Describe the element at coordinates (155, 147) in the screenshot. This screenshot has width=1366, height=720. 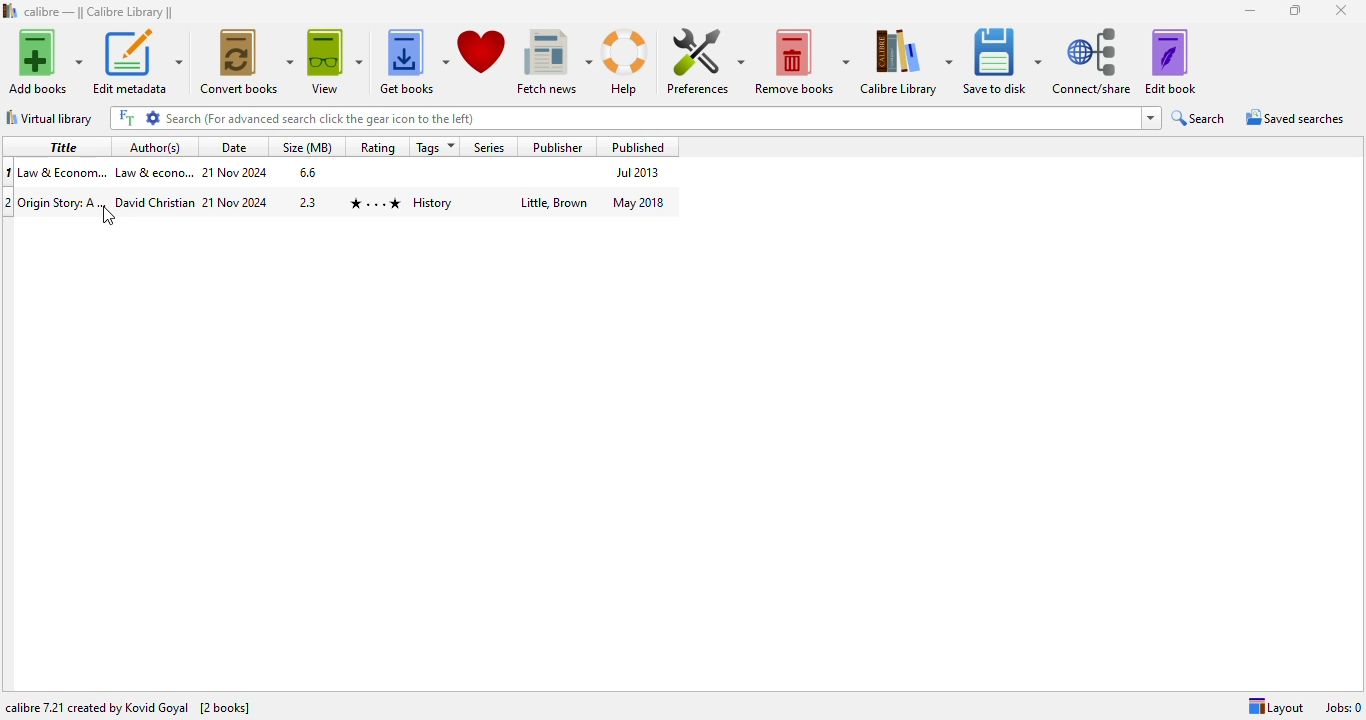
I see `author(s)` at that location.